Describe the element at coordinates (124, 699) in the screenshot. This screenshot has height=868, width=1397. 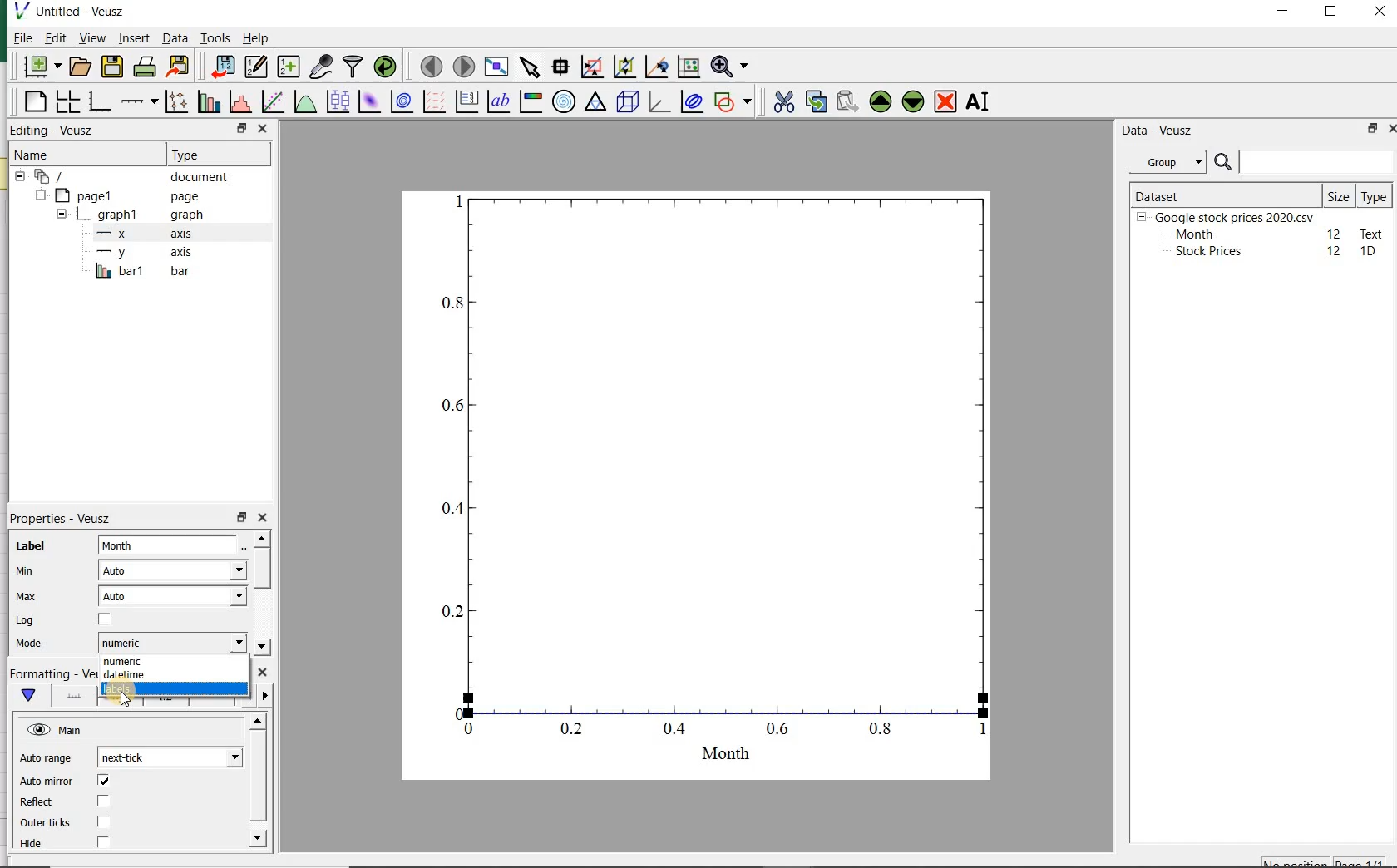
I see `cursor` at that location.